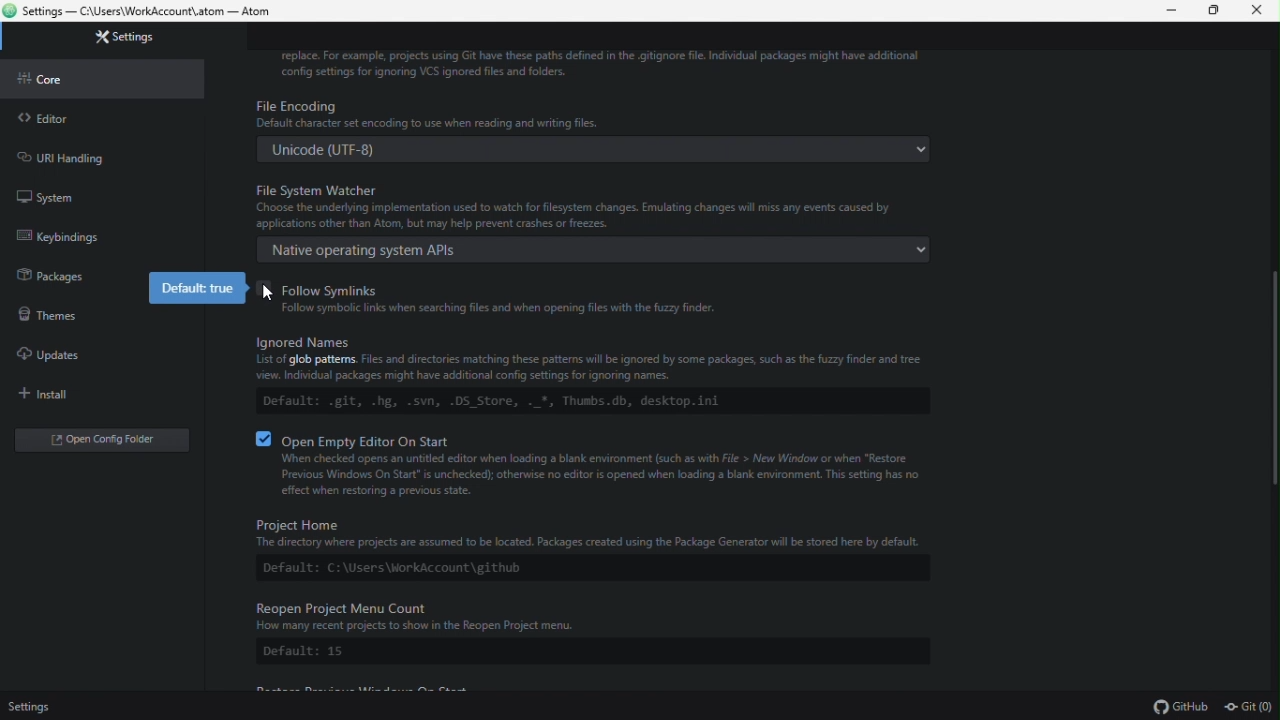 This screenshot has height=720, width=1280. What do you see at coordinates (597, 249) in the screenshot?
I see `Native operating system APIs v` at bounding box center [597, 249].